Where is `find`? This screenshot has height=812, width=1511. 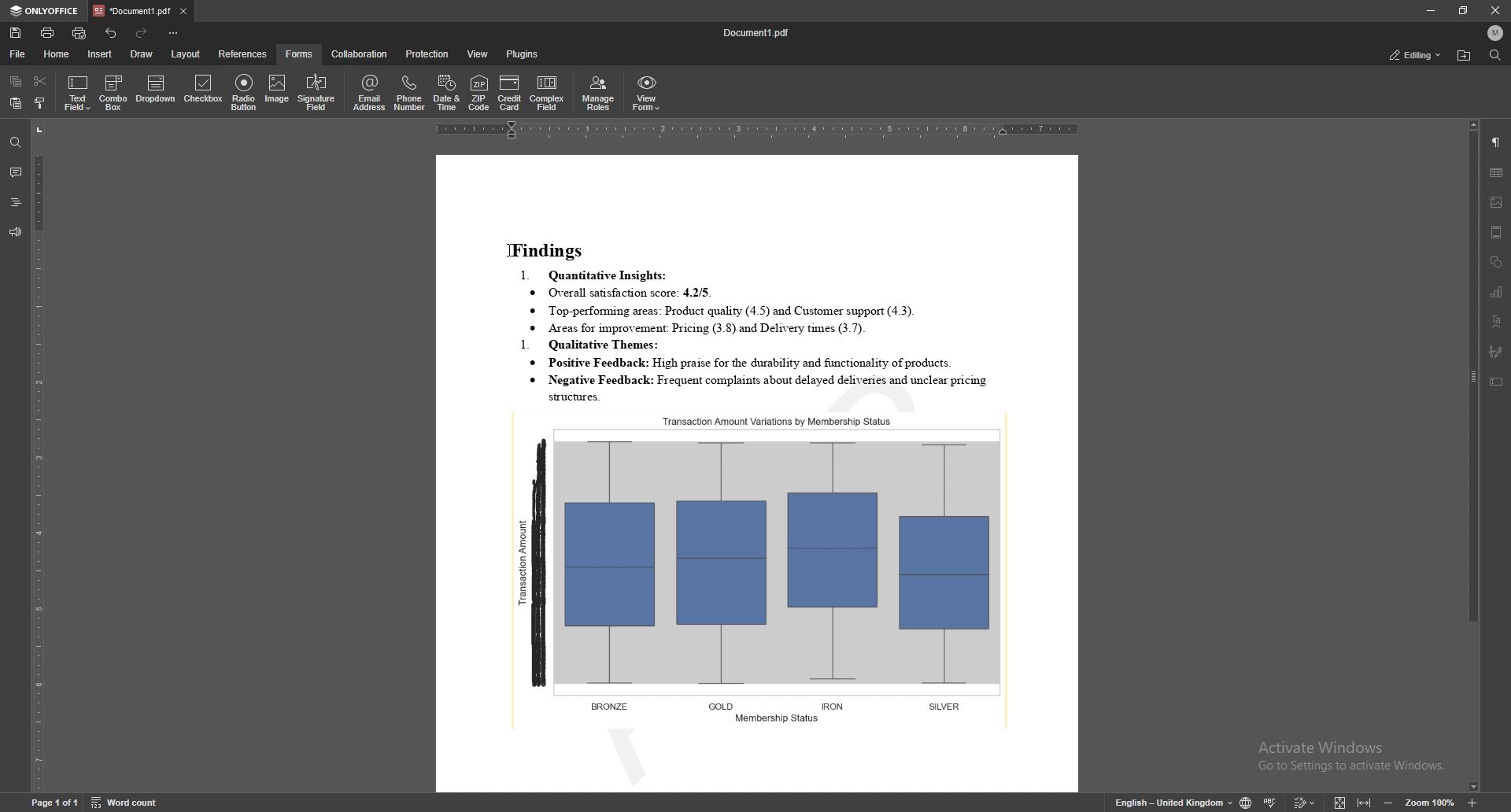
find is located at coordinates (1496, 56).